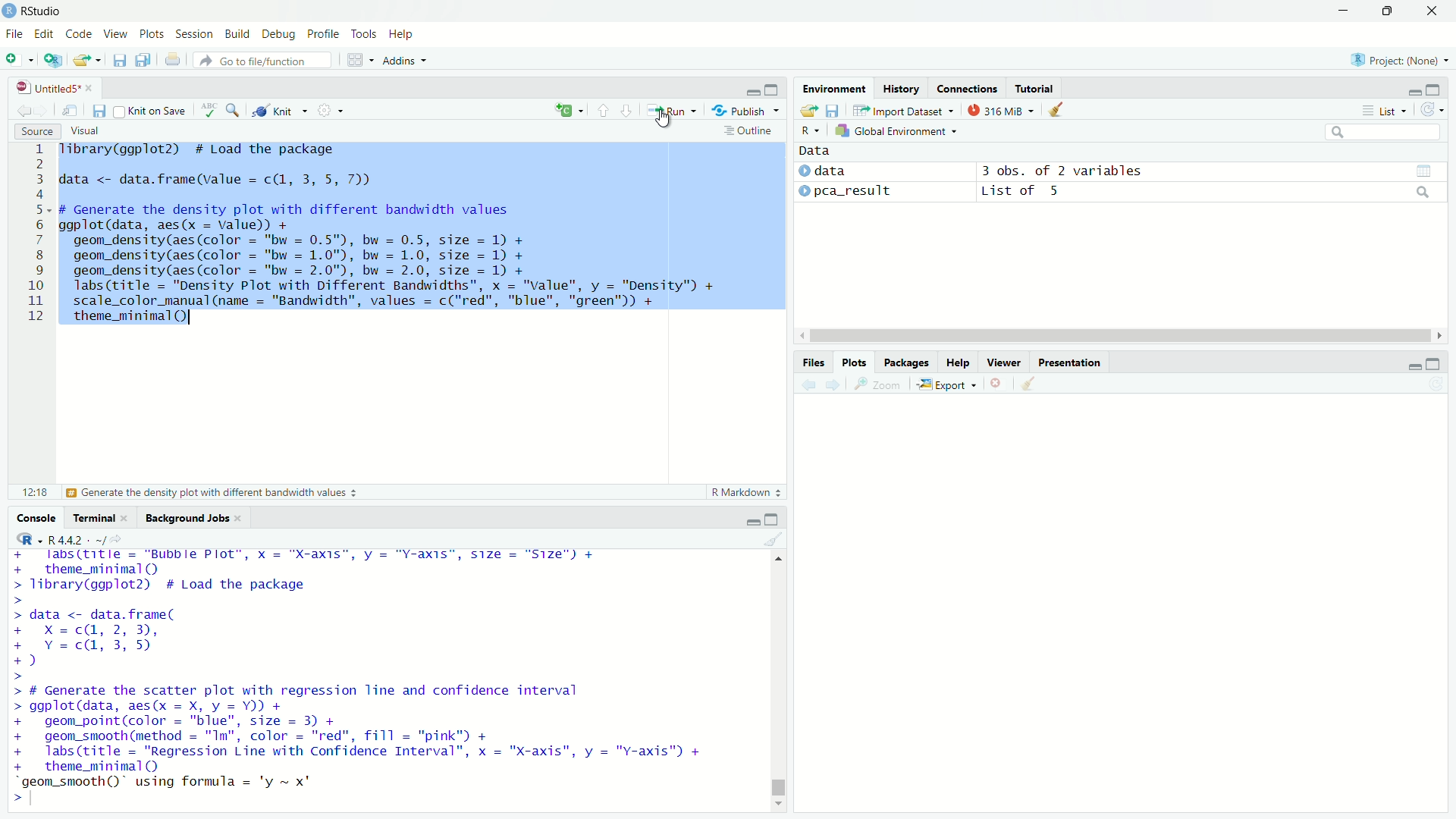 This screenshot has width=1456, height=819. I want to click on Edit, so click(44, 34).